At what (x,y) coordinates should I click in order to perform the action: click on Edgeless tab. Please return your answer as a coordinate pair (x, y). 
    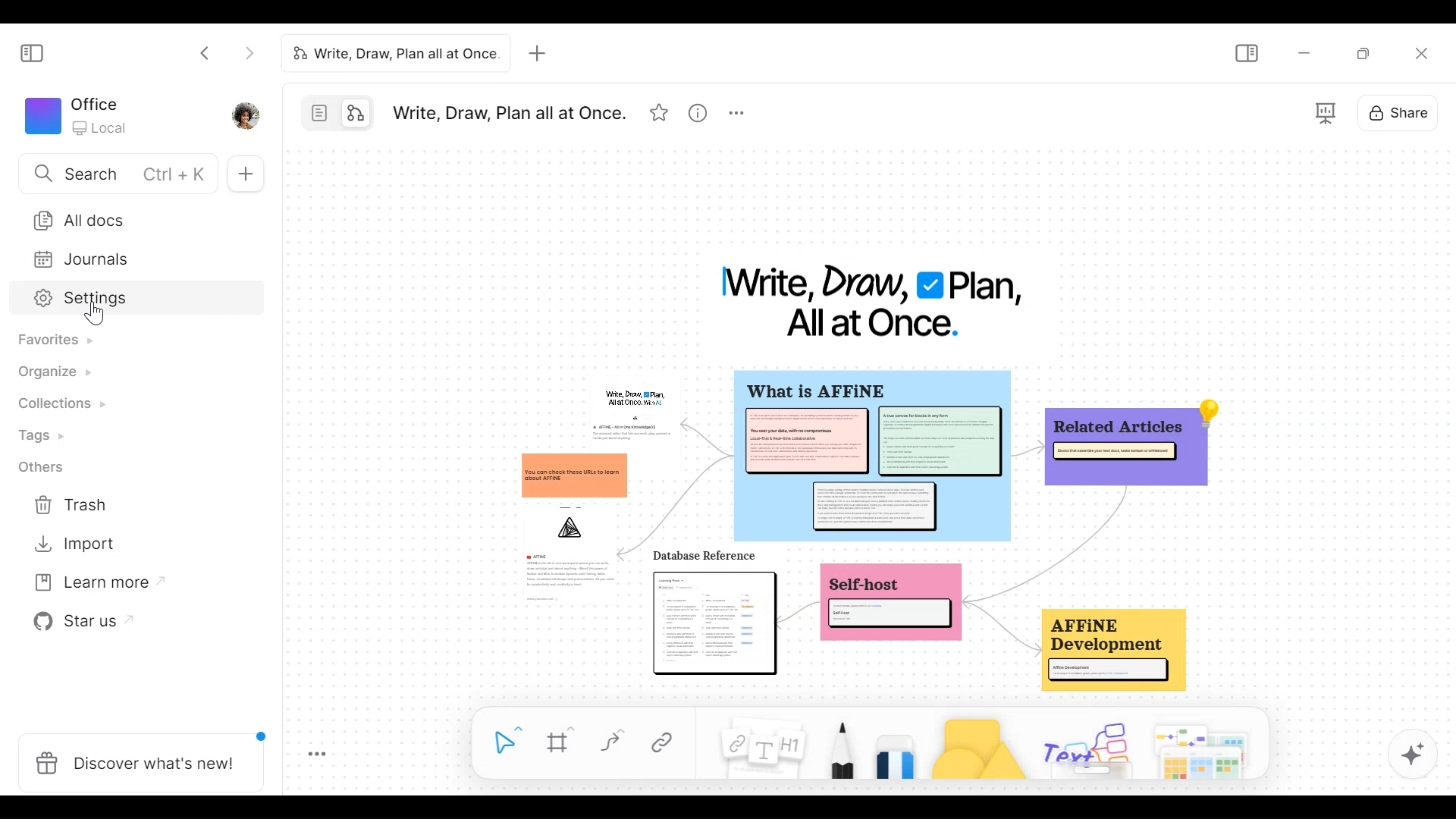
    Looking at the image, I should click on (353, 111).